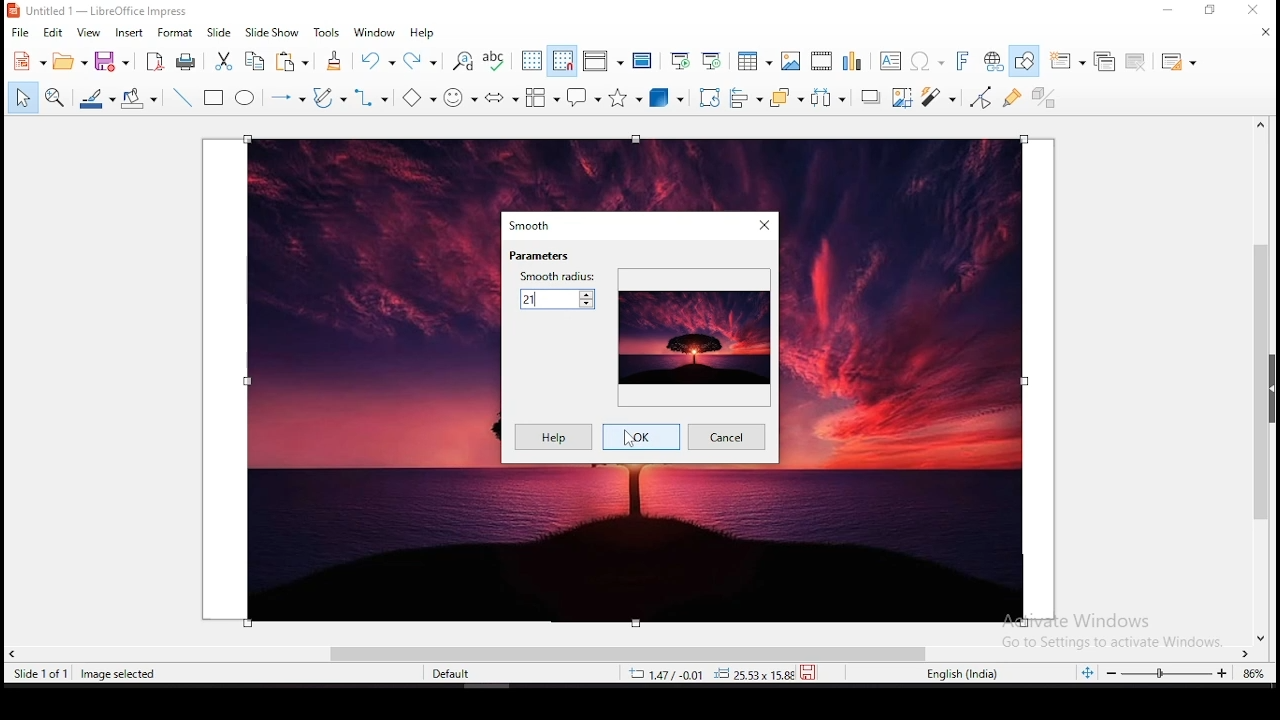  Describe the element at coordinates (377, 32) in the screenshot. I see `window` at that location.